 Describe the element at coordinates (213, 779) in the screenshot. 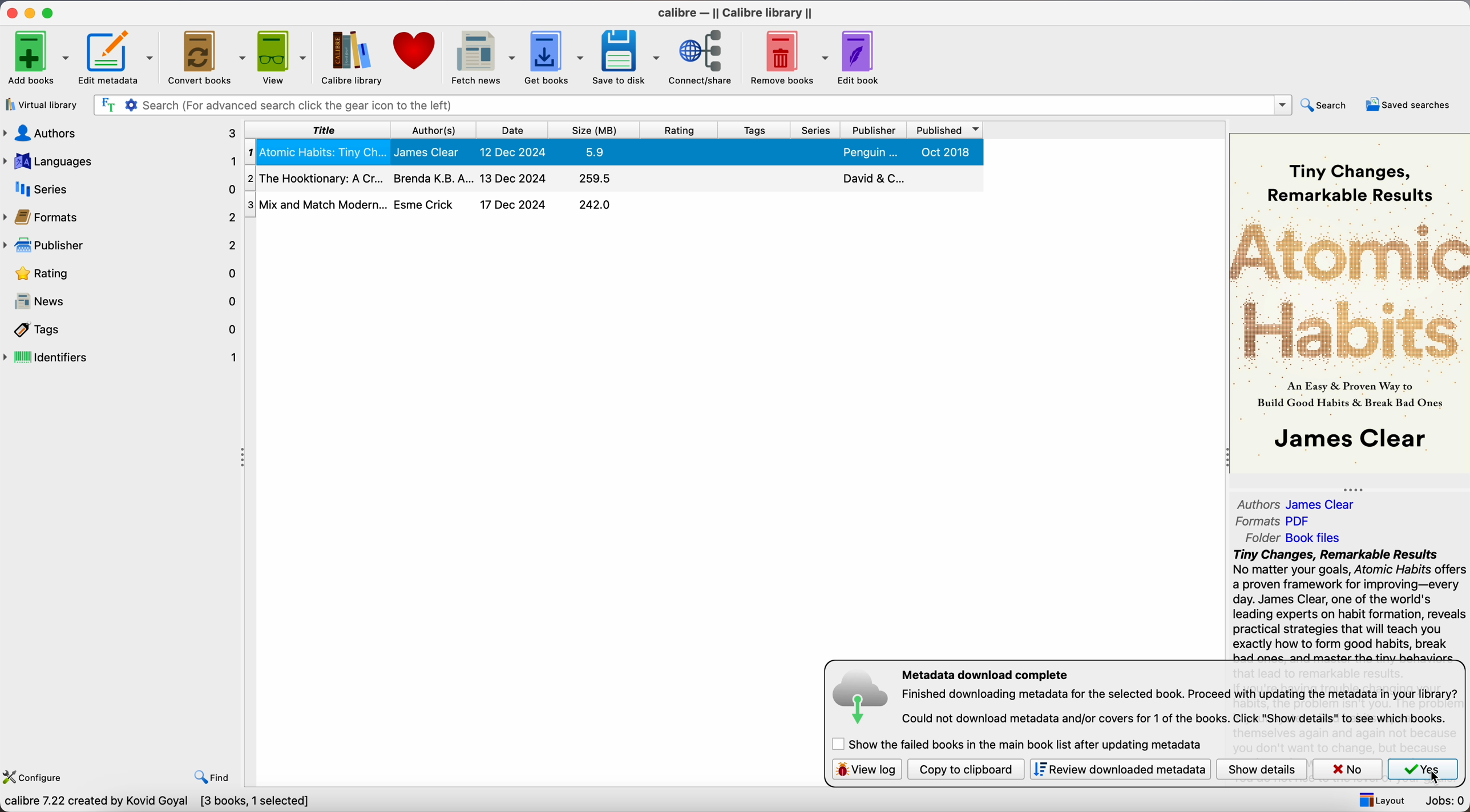

I see `find` at that location.